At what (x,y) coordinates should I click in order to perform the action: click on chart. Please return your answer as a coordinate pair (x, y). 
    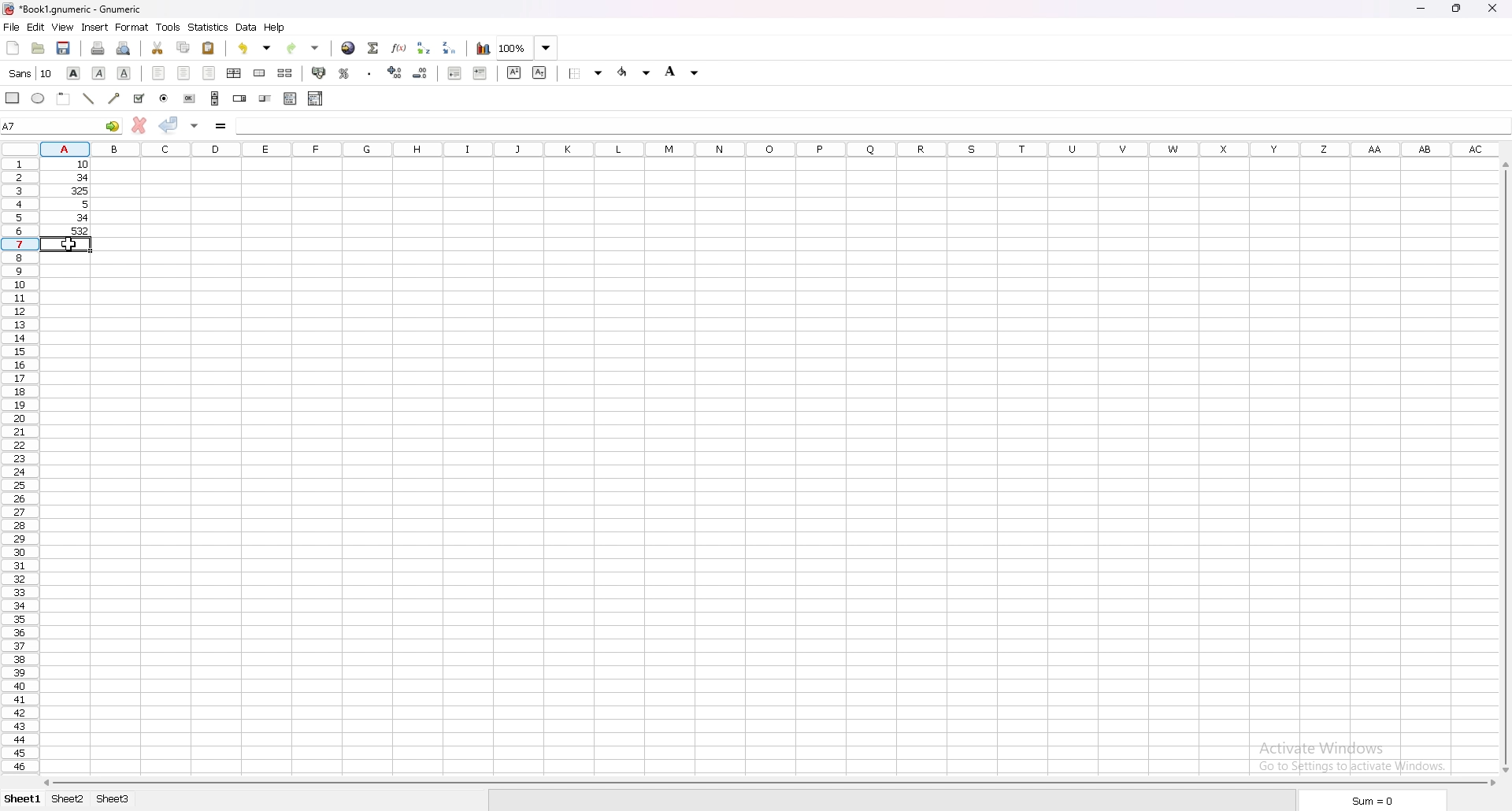
    Looking at the image, I should click on (484, 50).